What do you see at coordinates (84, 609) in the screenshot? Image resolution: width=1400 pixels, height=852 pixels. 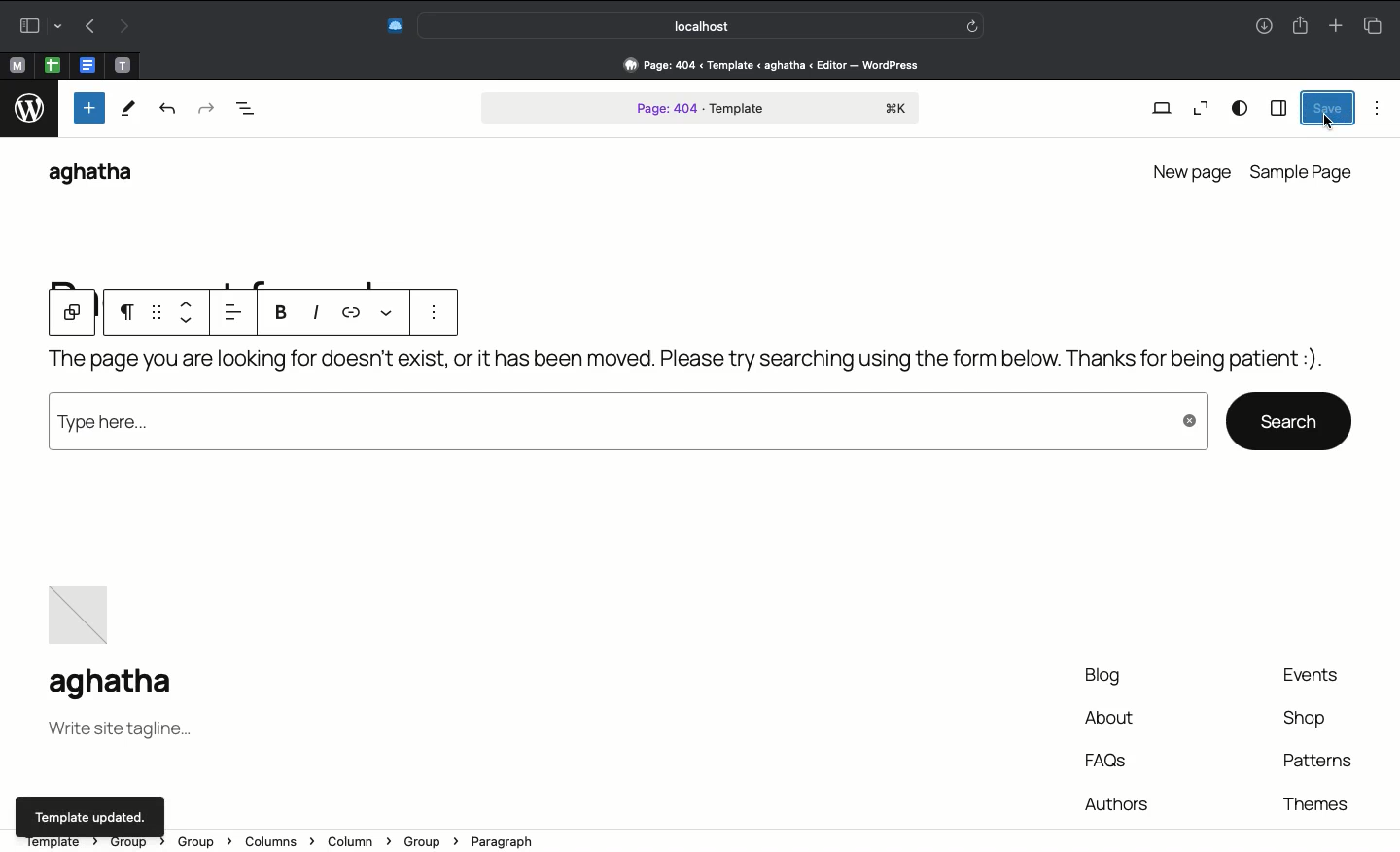 I see `Image` at bounding box center [84, 609].